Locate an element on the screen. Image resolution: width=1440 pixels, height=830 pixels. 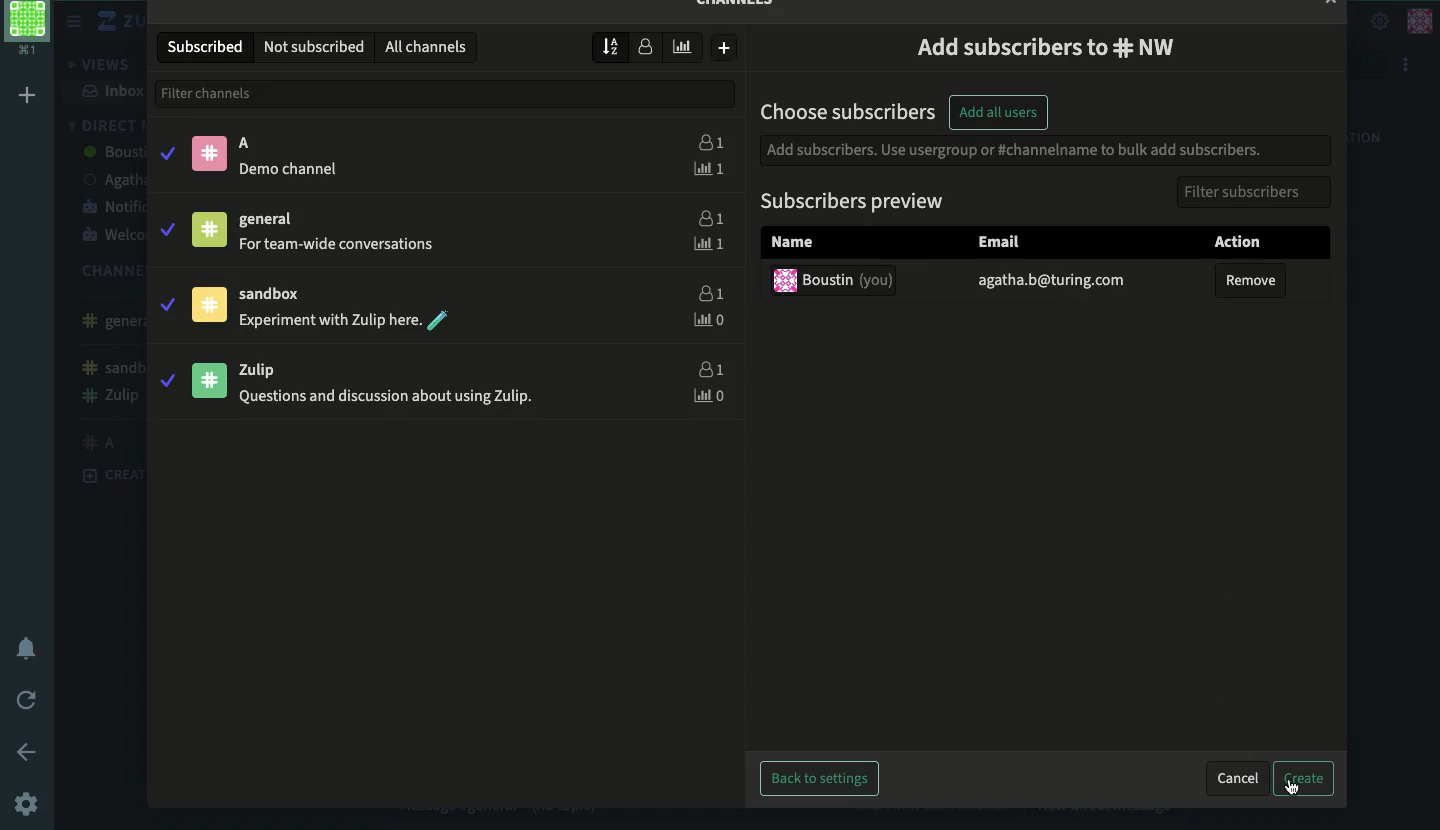
general is located at coordinates (273, 222).